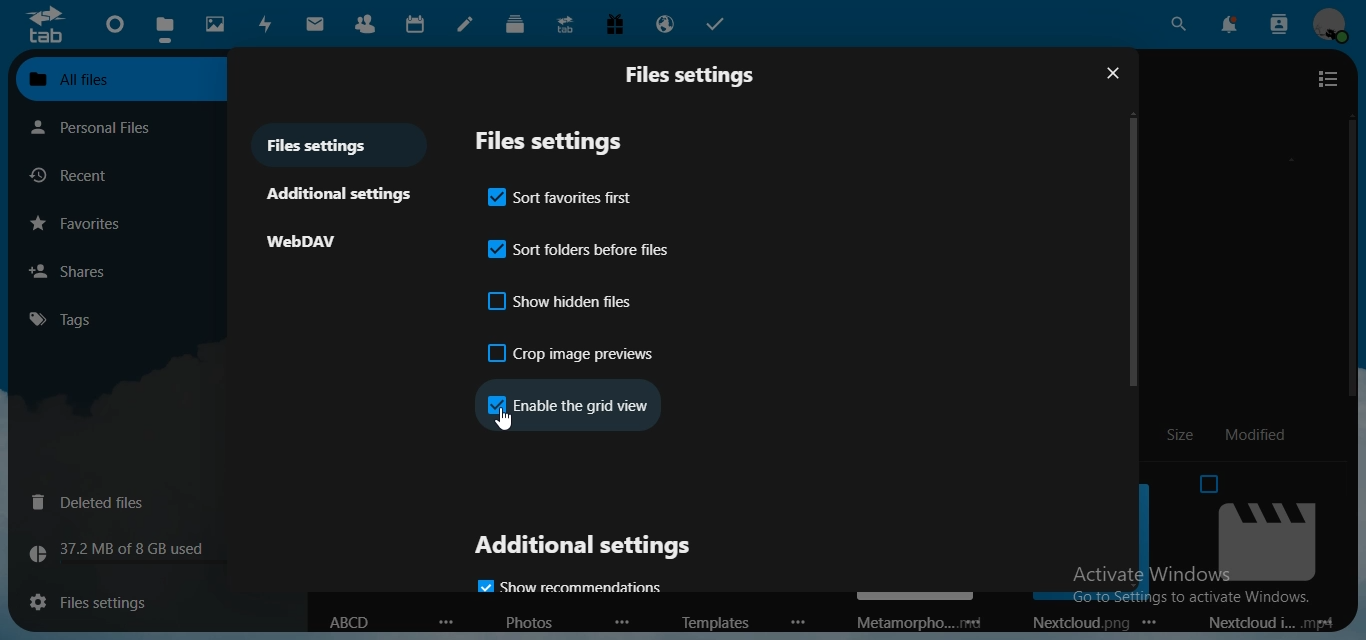  Describe the element at coordinates (324, 145) in the screenshot. I see `files settings` at that location.